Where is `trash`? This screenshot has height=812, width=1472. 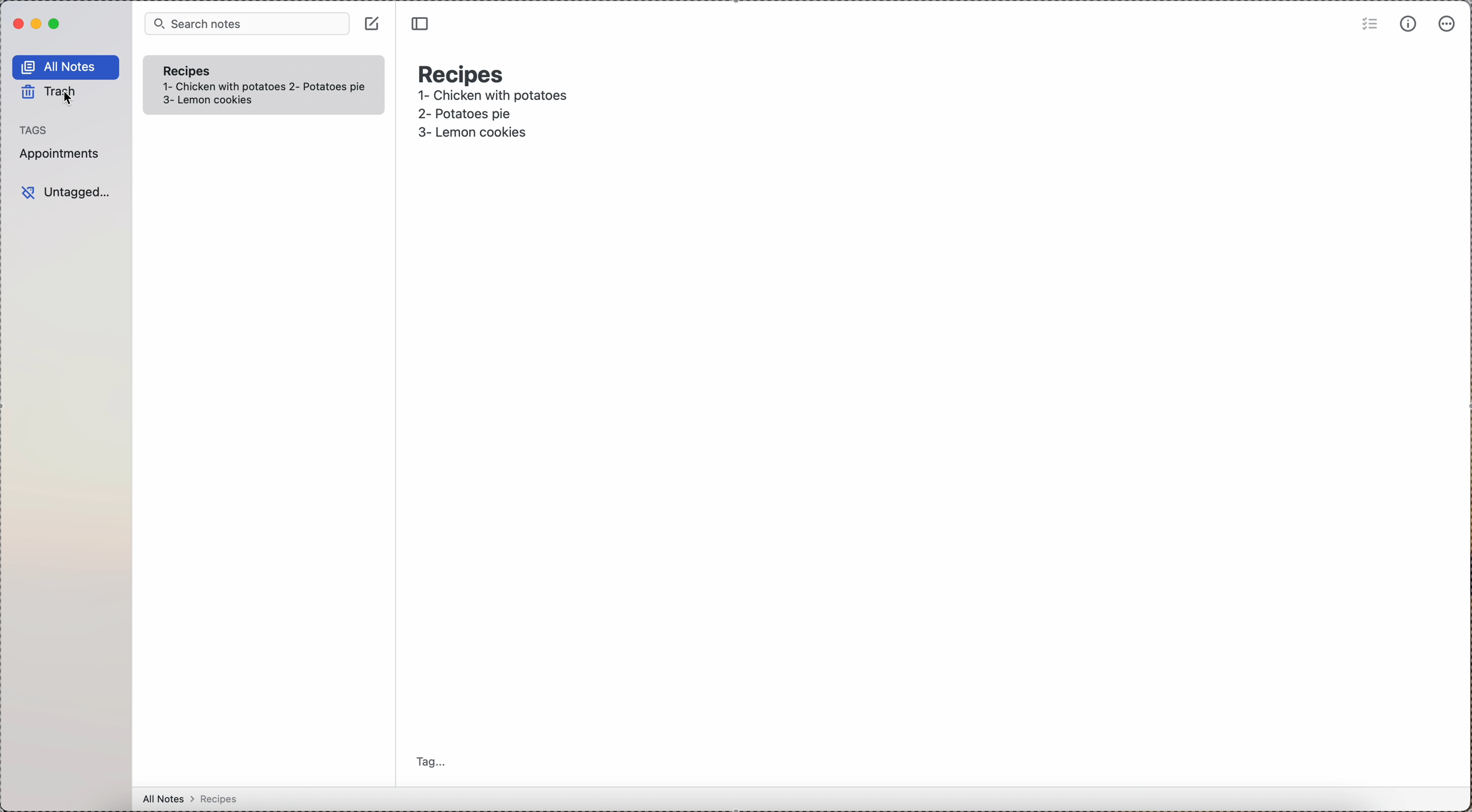
trash is located at coordinates (51, 93).